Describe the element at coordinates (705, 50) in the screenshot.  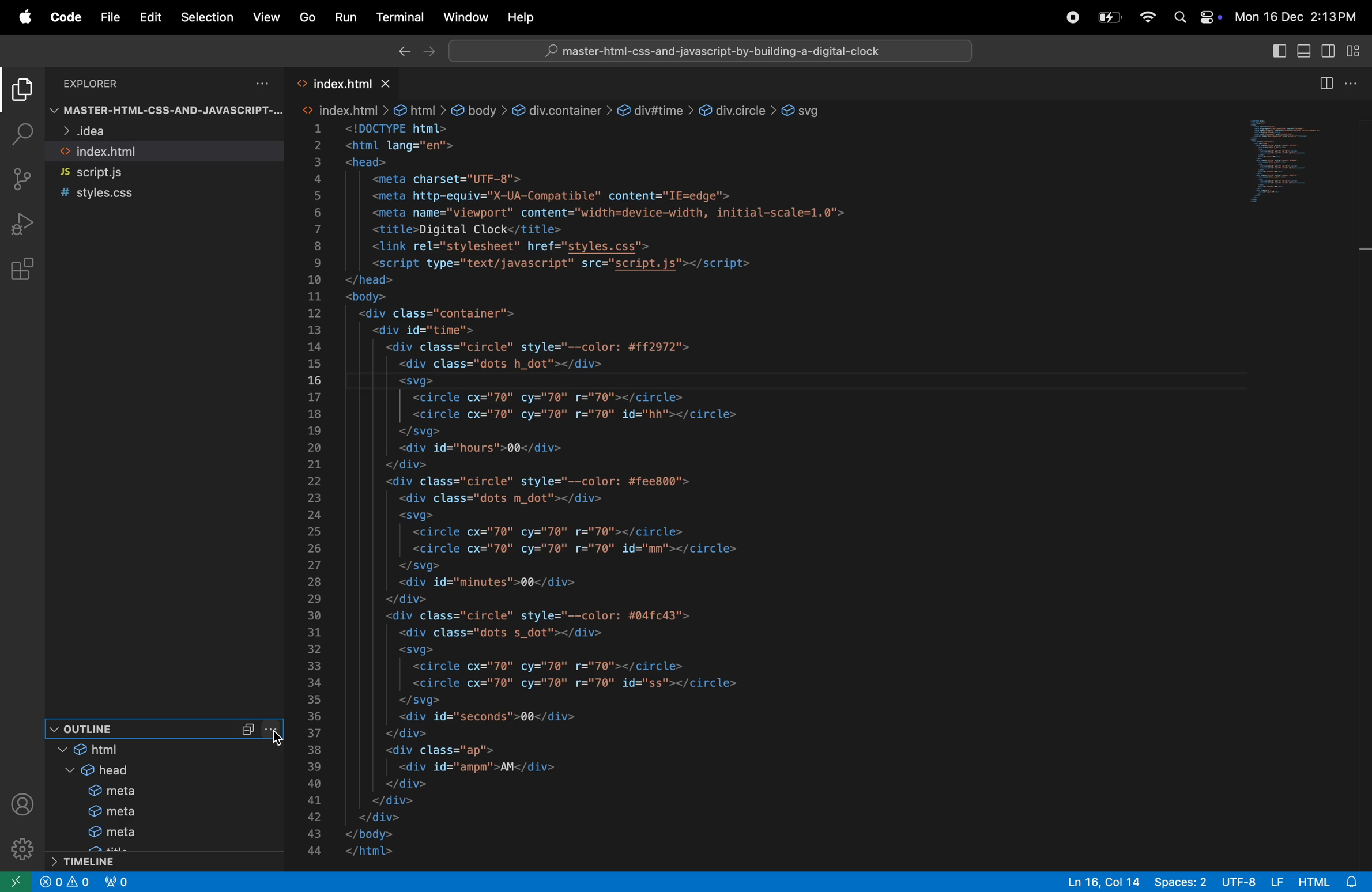
I see `workspace search bar` at that location.